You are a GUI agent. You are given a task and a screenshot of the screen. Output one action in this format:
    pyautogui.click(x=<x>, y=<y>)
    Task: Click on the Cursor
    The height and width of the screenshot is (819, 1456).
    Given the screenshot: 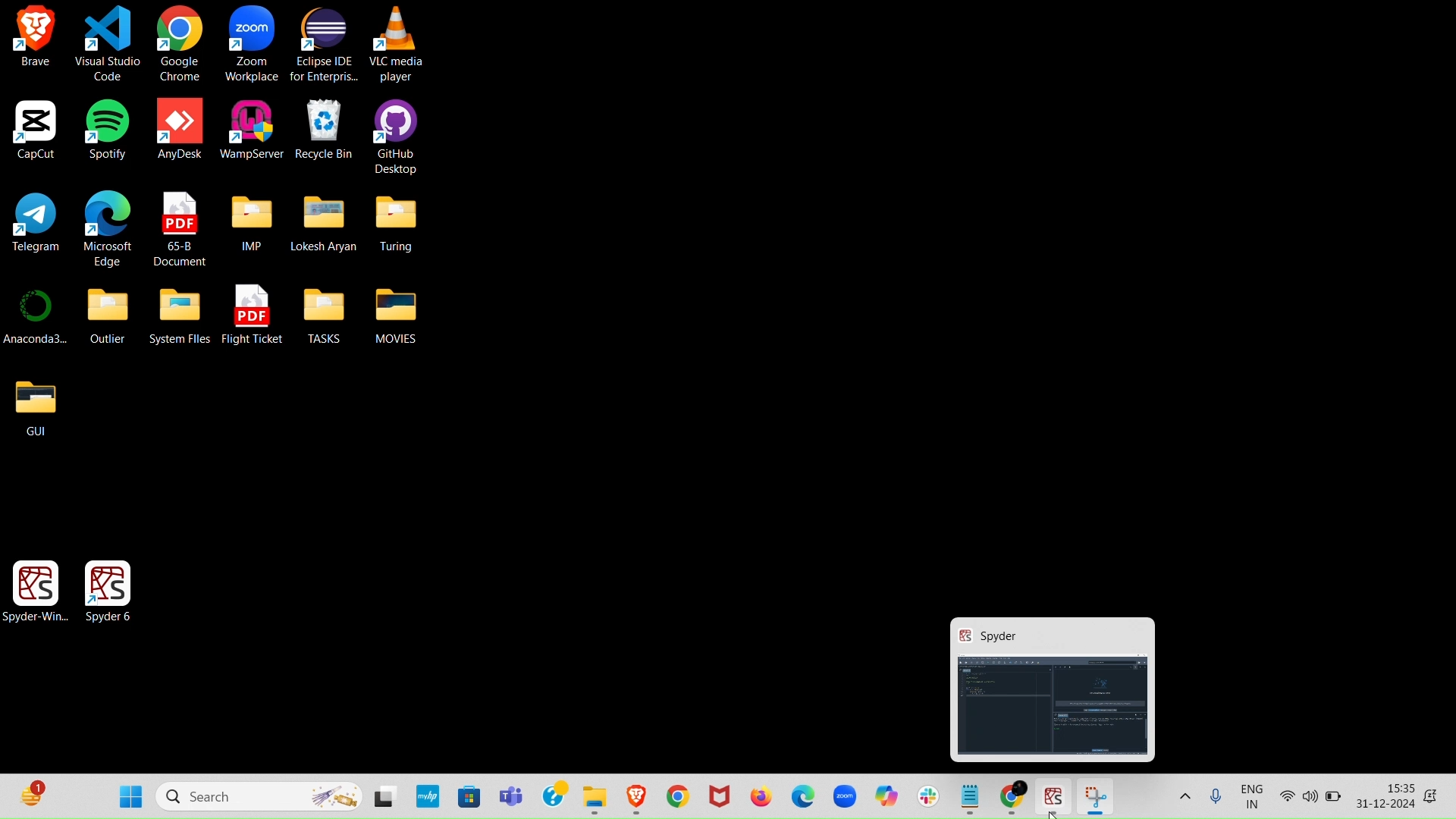 What is the action you would take?
    pyautogui.click(x=1053, y=810)
    